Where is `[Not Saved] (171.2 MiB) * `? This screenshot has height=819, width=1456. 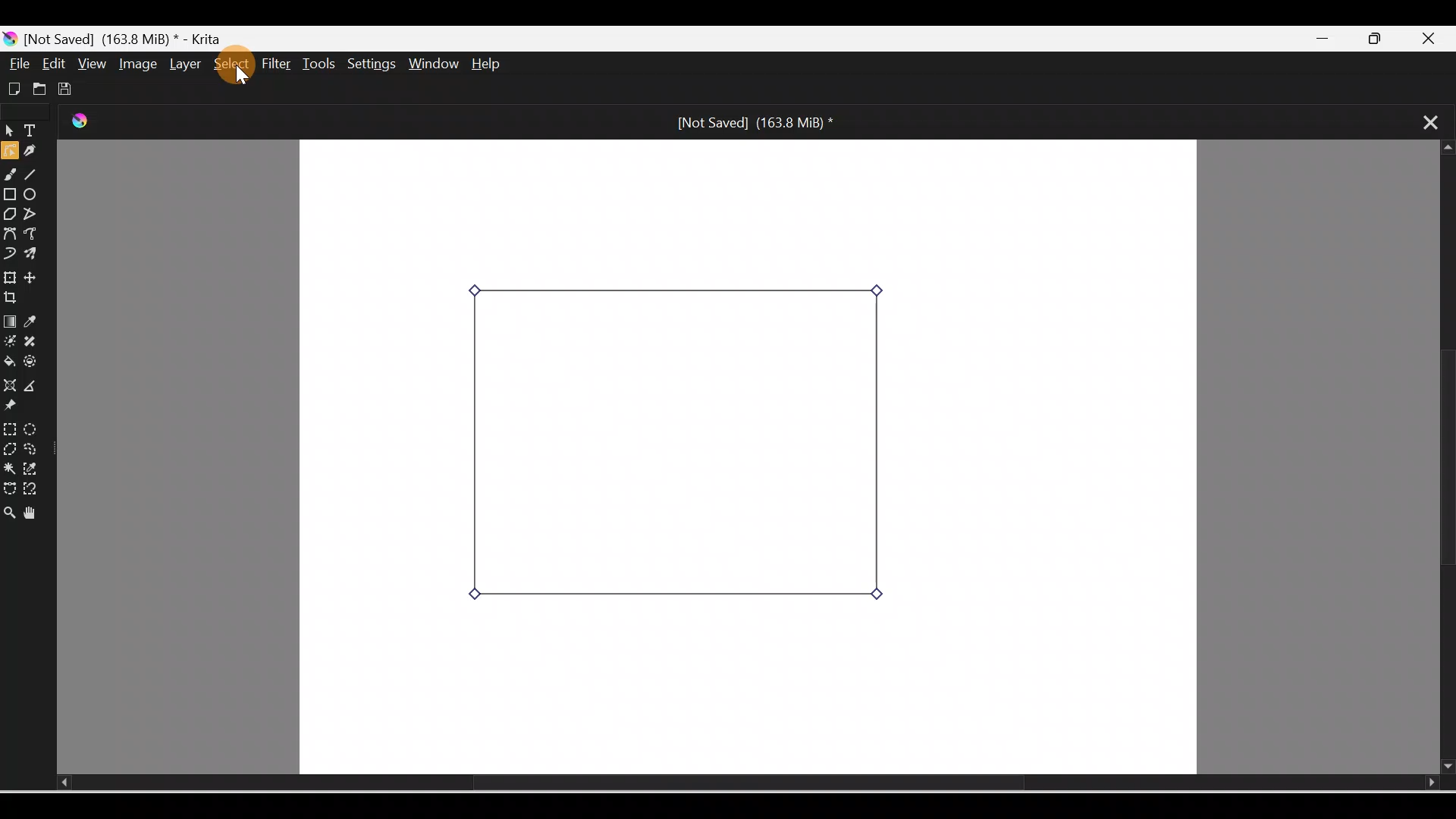
[Not Saved] (171.2 MiB) *  is located at coordinates (751, 121).